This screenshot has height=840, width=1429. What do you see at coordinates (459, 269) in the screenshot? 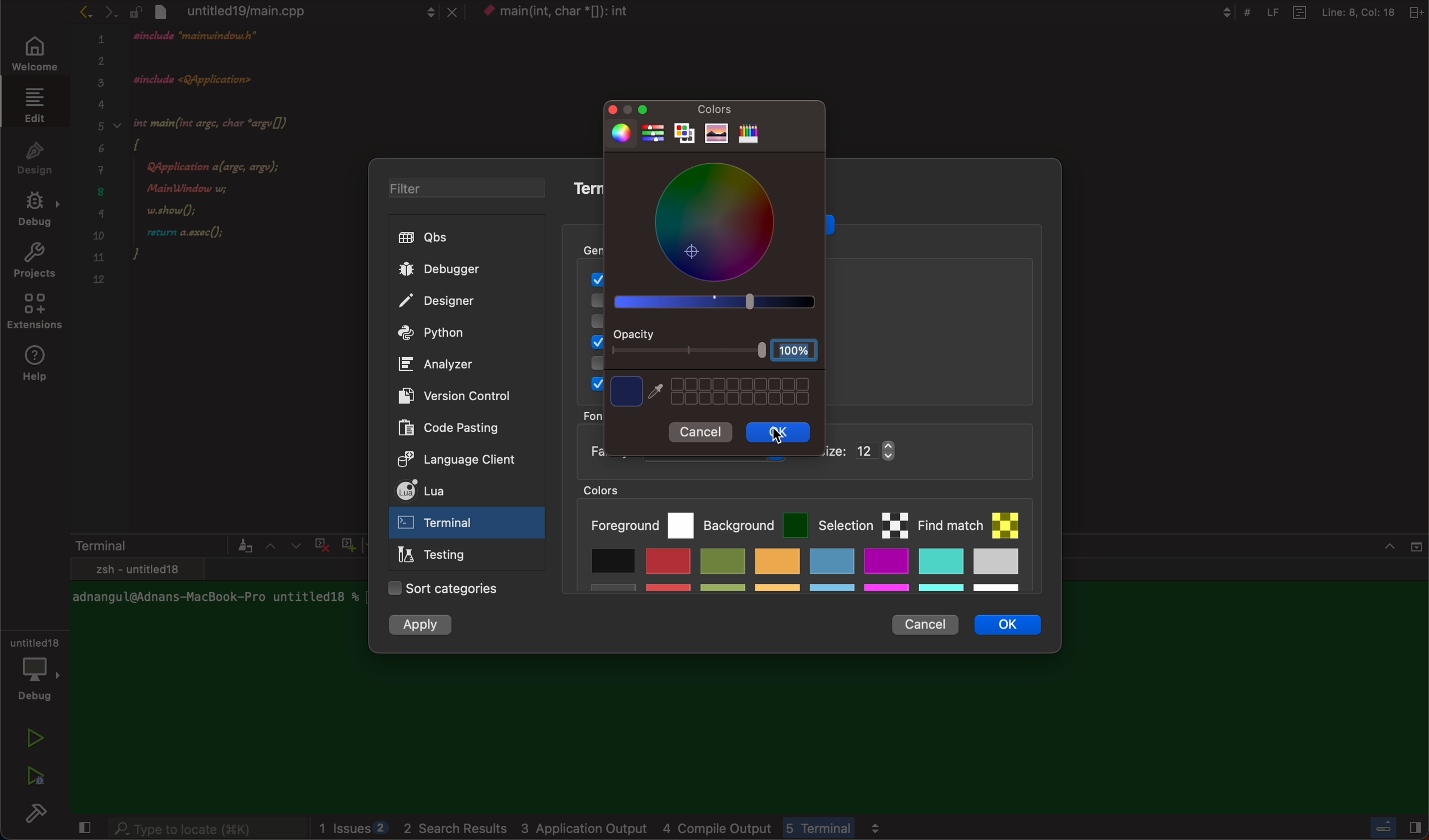
I see `debugger` at bounding box center [459, 269].